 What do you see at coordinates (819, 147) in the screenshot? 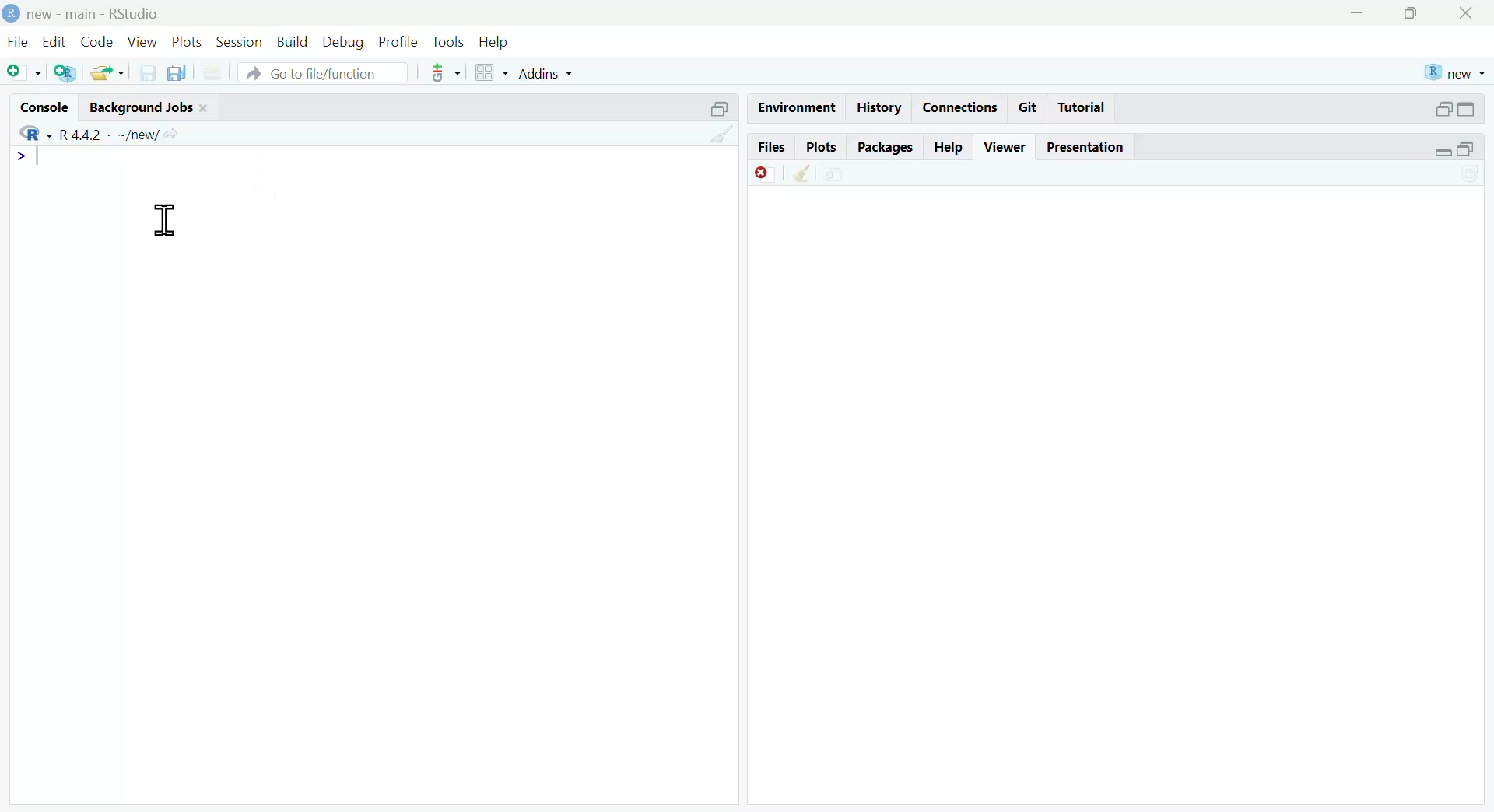
I see `Plots` at bounding box center [819, 147].